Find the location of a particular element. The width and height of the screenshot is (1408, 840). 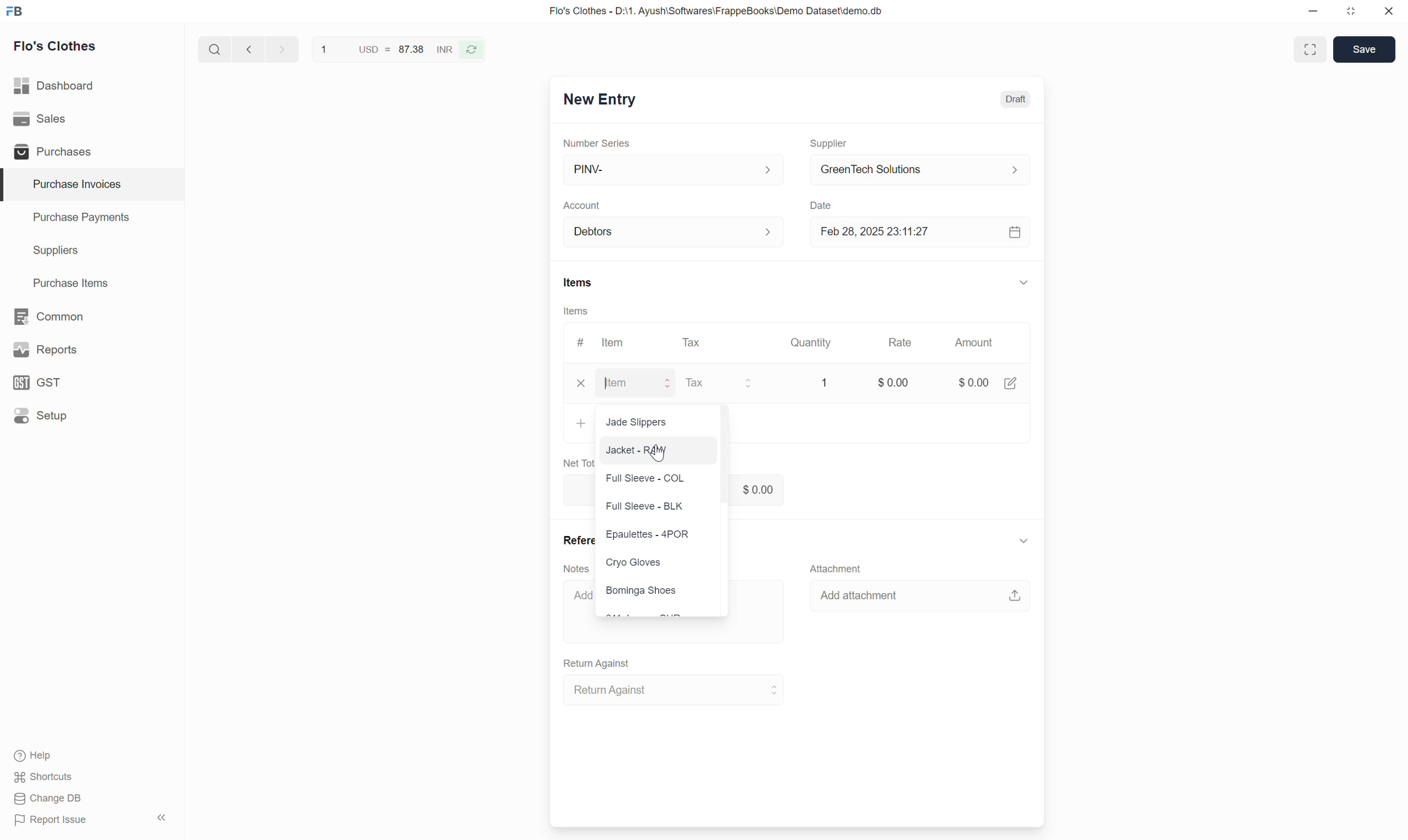

Flo's Clothes - D:\1. Ayush\Softwares\FrappeBooks\Demo Dataset\demo.db is located at coordinates (717, 11).